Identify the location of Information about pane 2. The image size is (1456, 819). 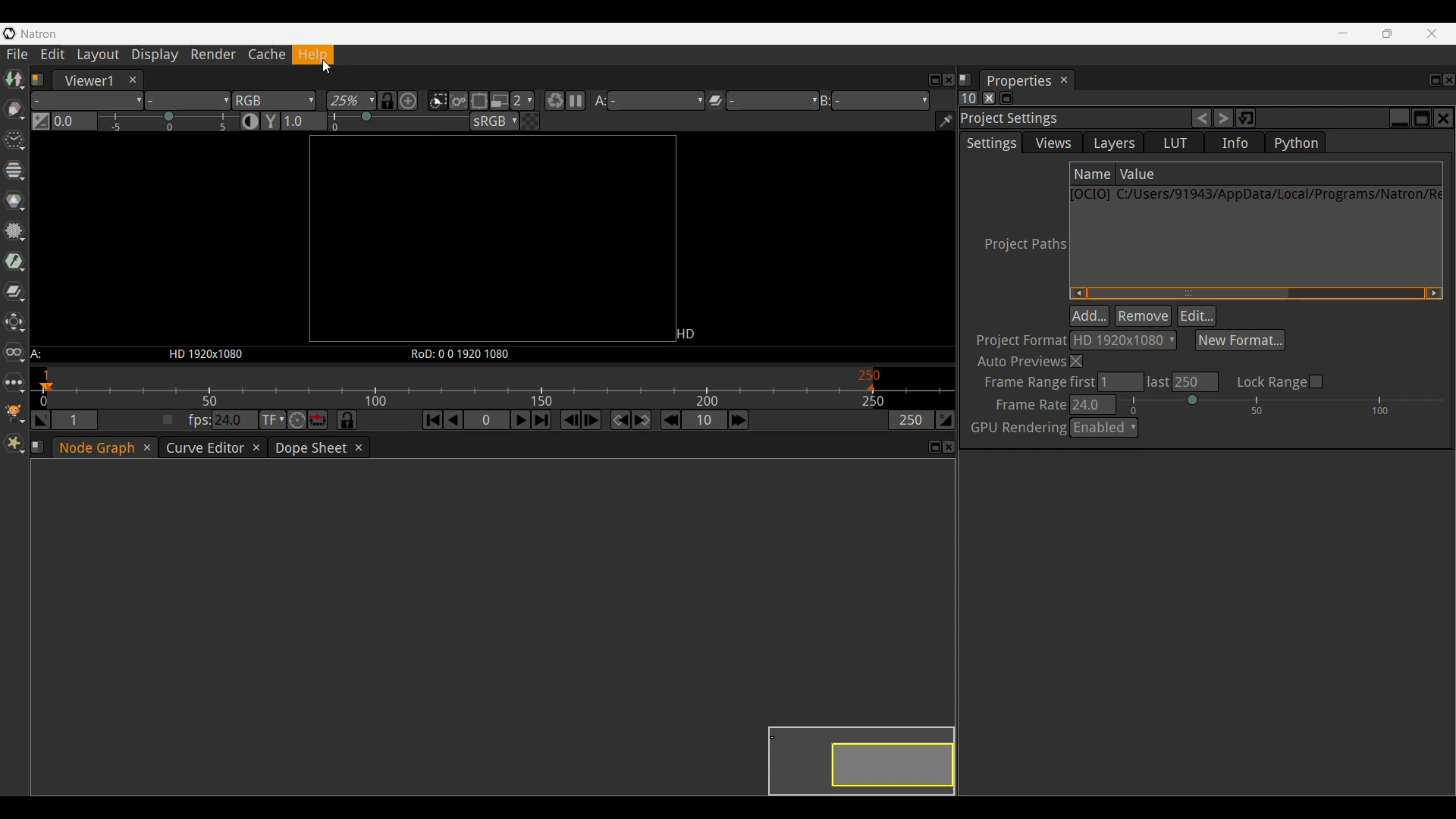
(965, 80).